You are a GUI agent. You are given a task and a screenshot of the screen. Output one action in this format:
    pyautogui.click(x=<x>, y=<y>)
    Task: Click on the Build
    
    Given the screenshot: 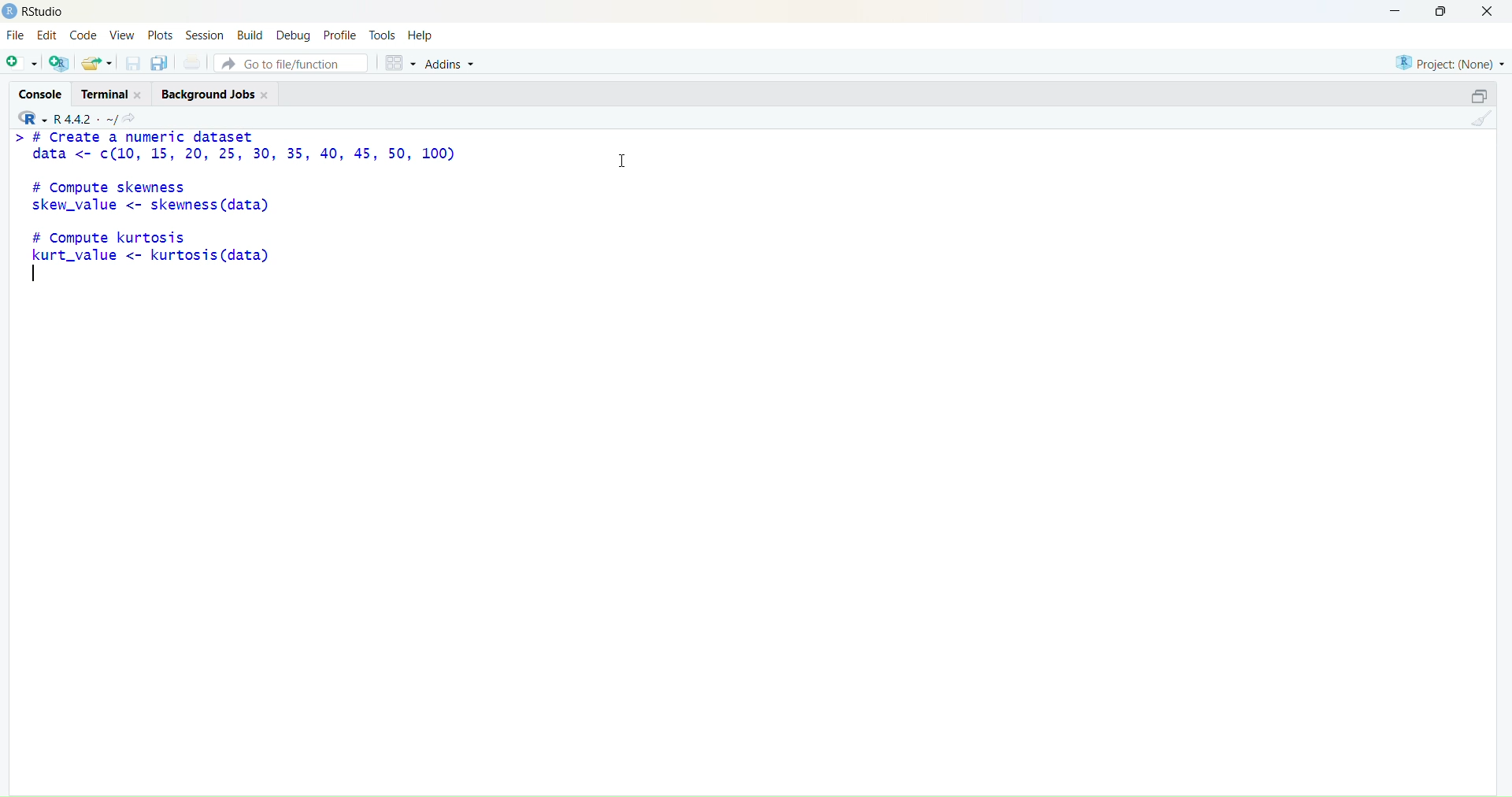 What is the action you would take?
    pyautogui.click(x=250, y=34)
    